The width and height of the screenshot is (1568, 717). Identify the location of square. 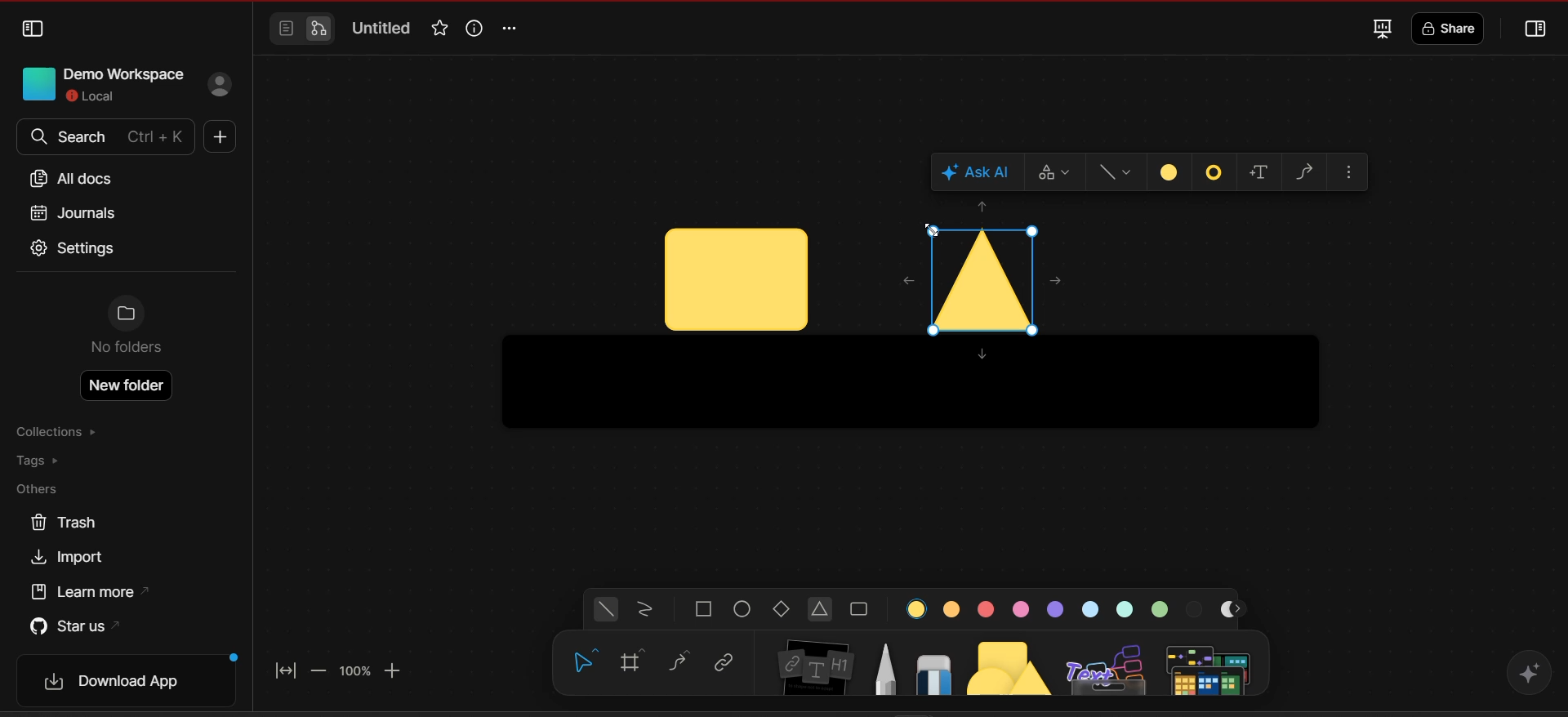
(704, 609).